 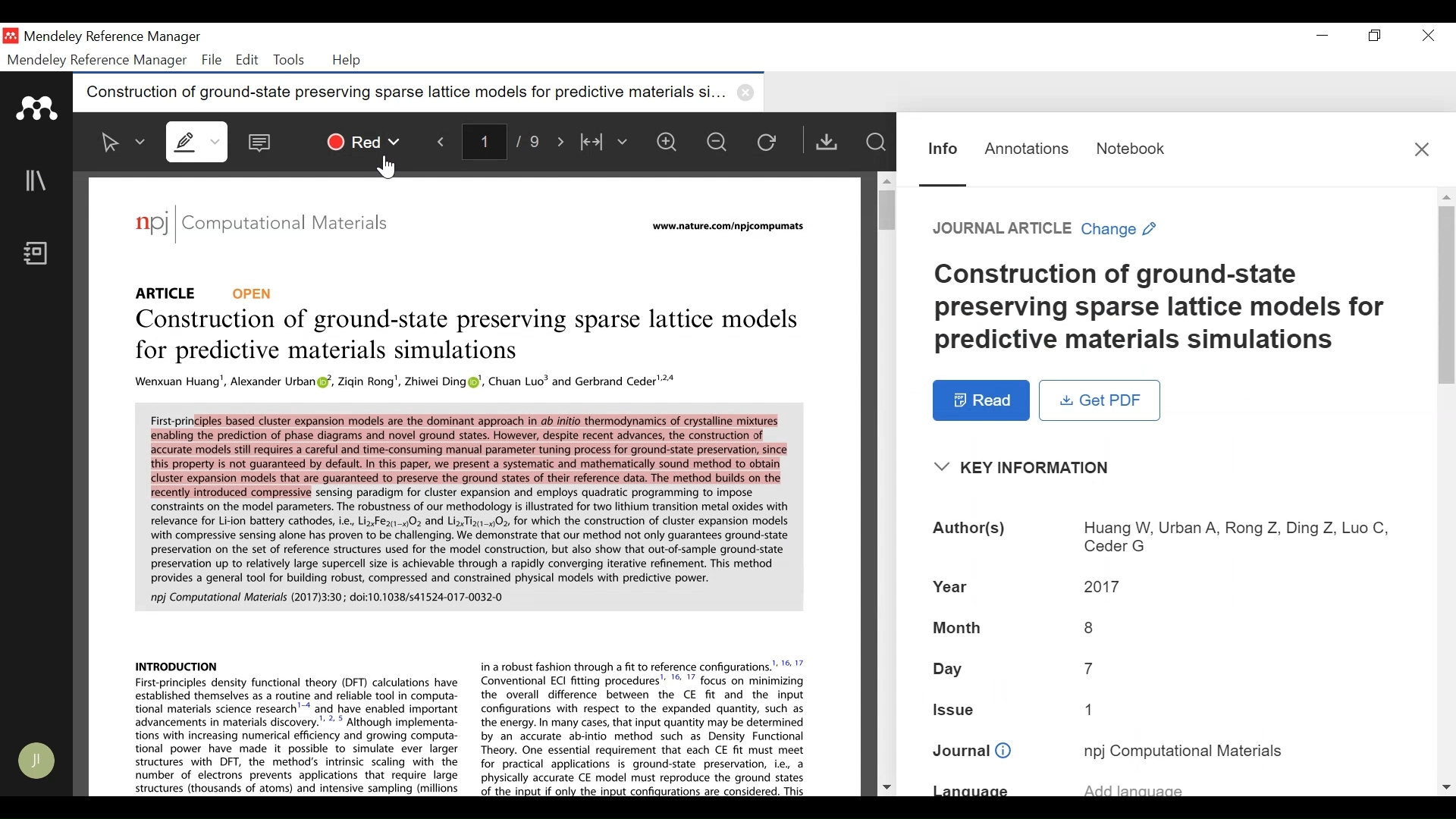 What do you see at coordinates (1005, 229) in the screenshot?
I see `Reference Type` at bounding box center [1005, 229].